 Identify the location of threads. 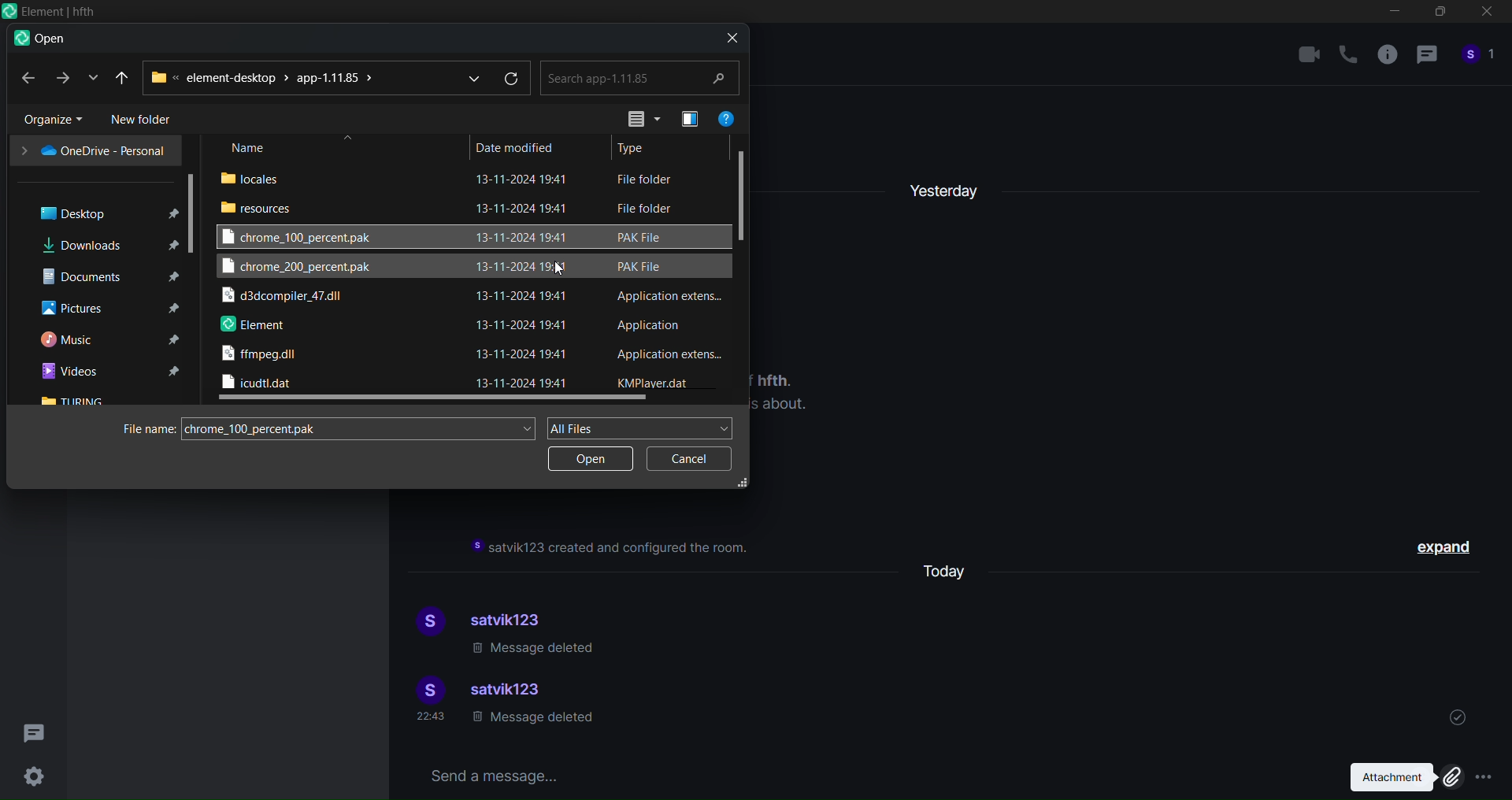
(36, 728).